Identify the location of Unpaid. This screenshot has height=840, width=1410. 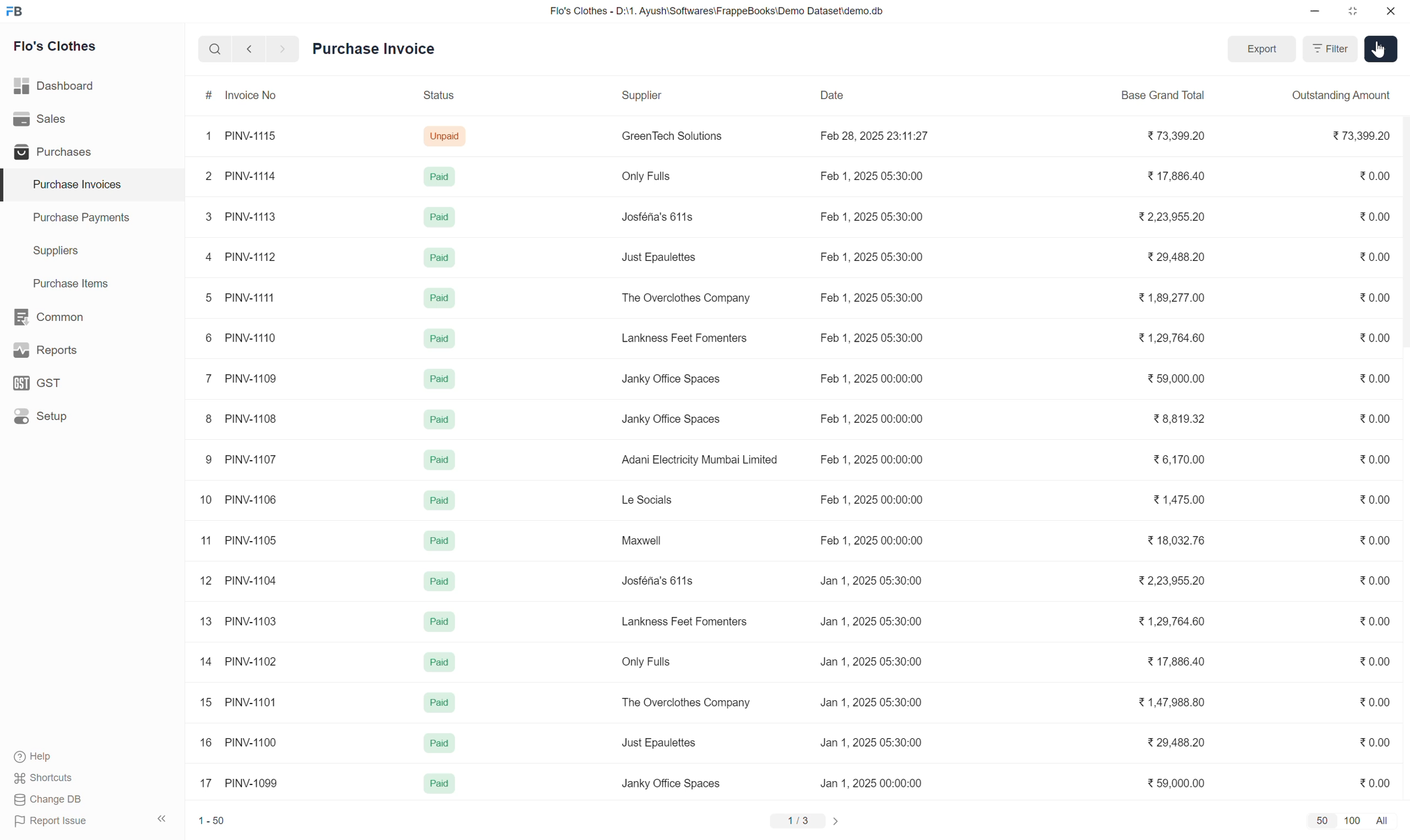
(448, 136).